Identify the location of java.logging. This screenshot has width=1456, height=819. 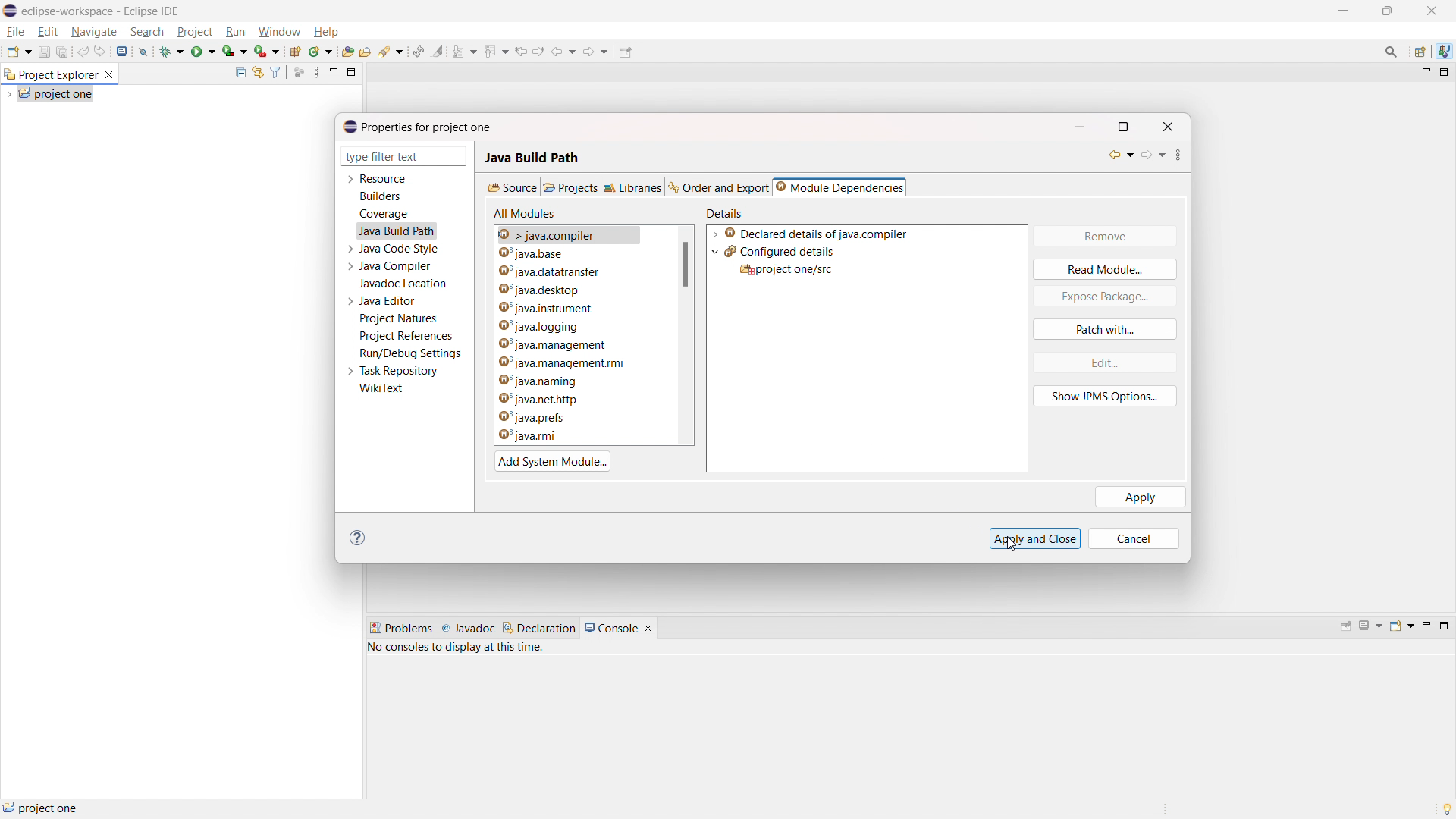
(567, 326).